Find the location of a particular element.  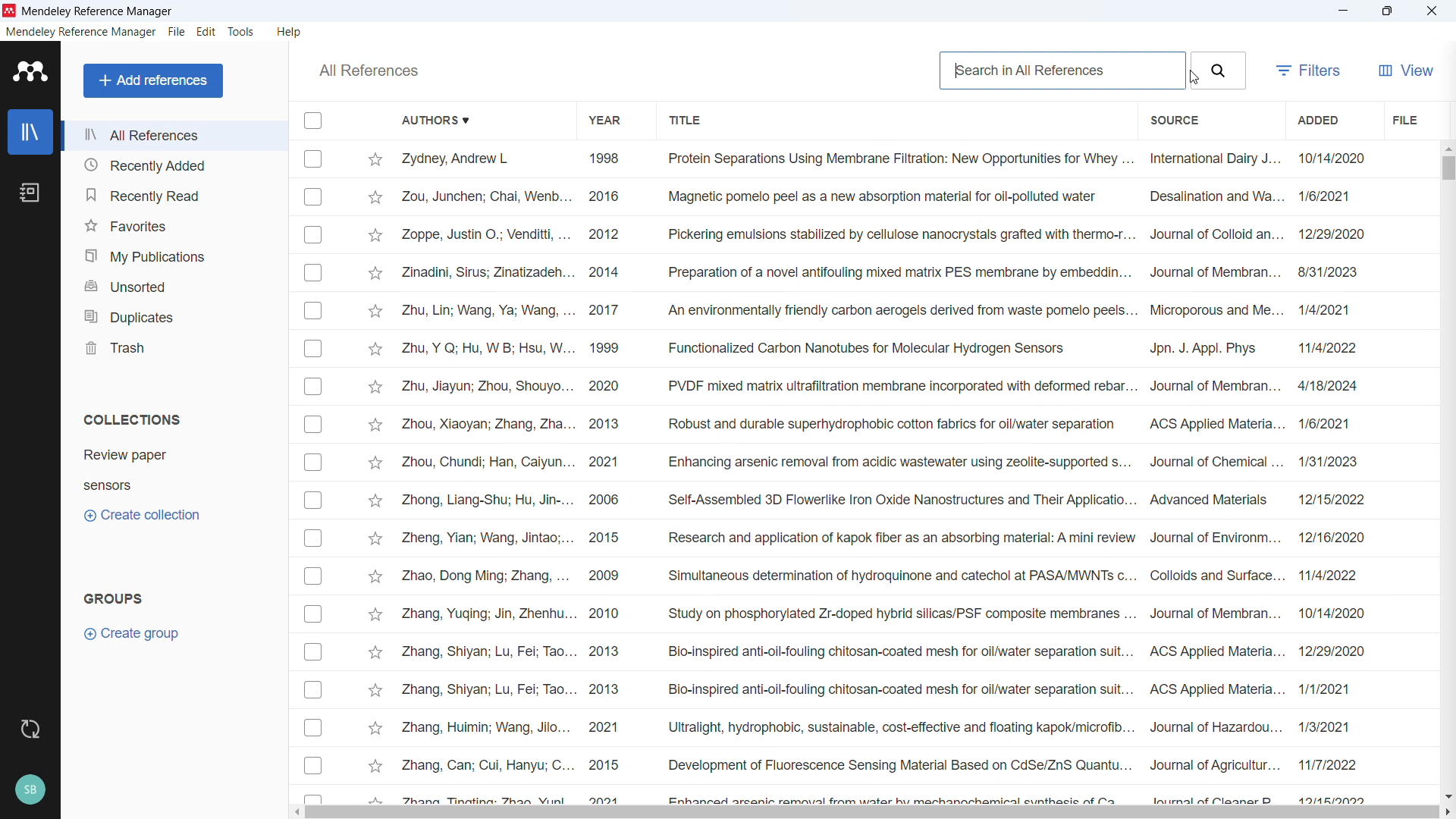

view is located at coordinates (1404, 71).